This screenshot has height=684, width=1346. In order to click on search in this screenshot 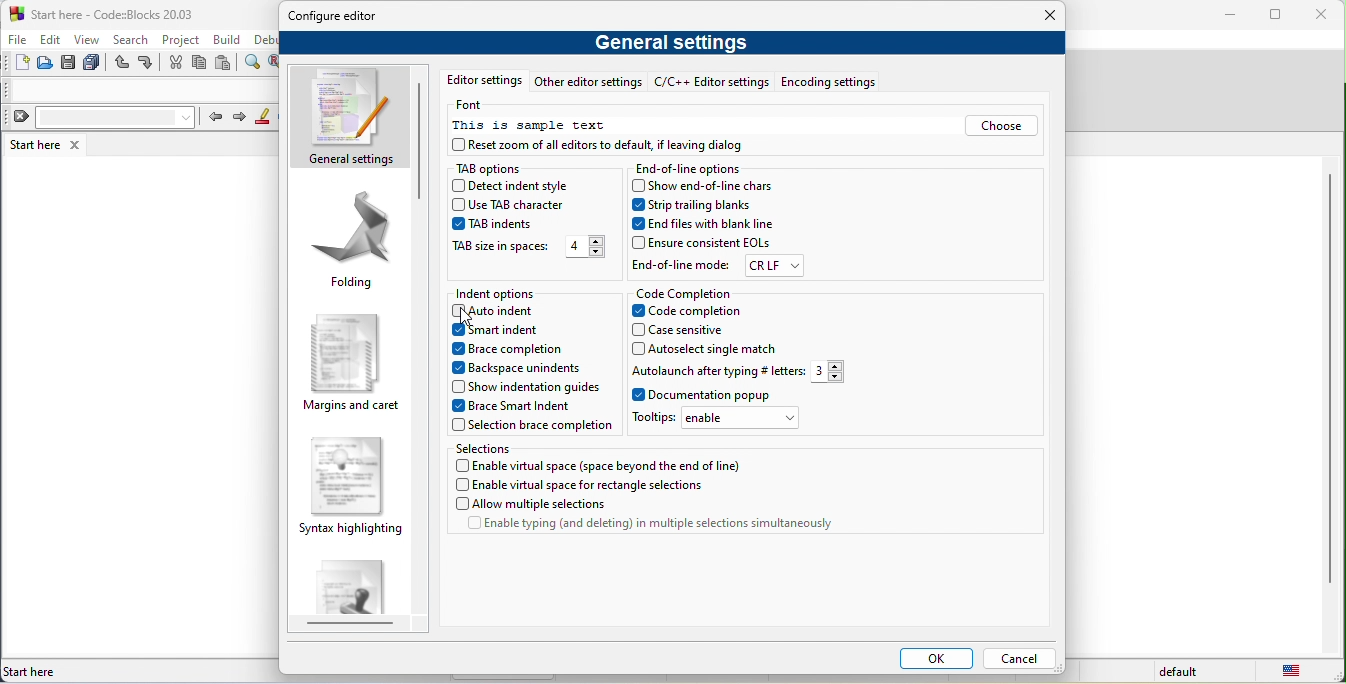, I will do `click(136, 42)`.